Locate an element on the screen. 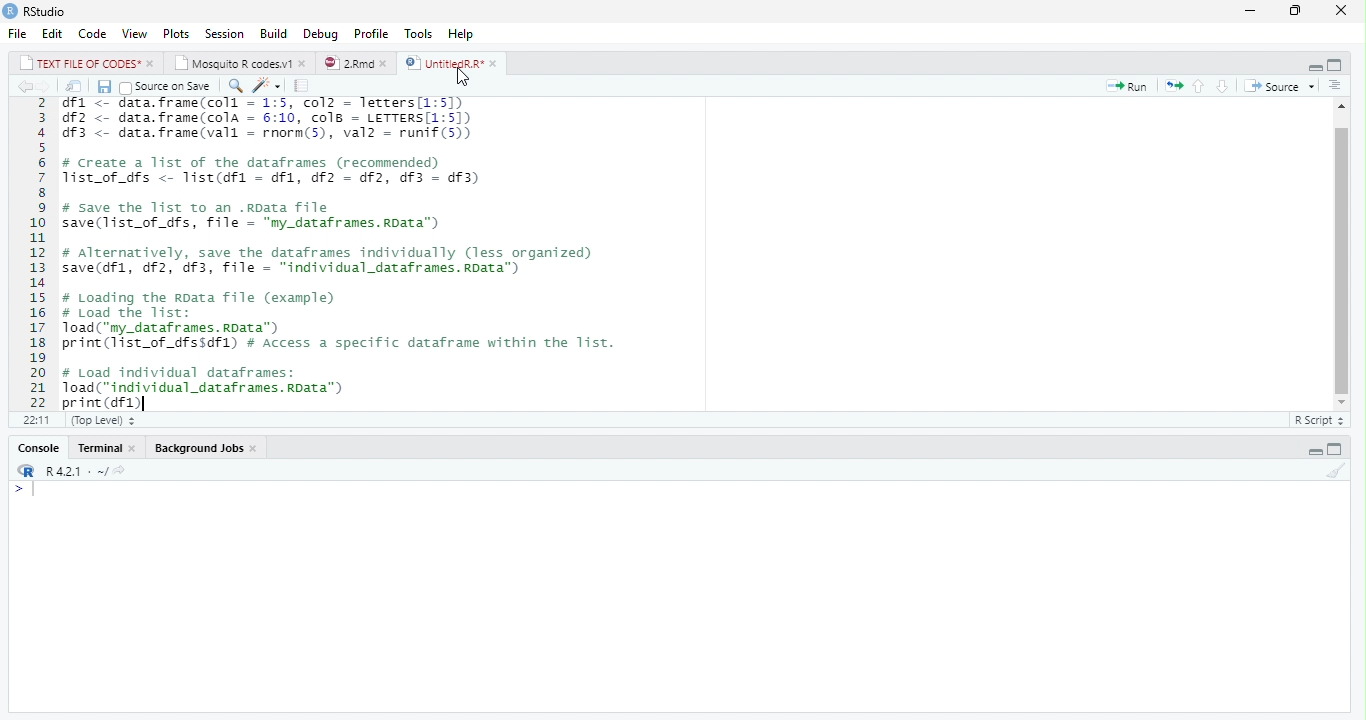 The width and height of the screenshot is (1366, 720). 2.Rmd is located at coordinates (355, 63).